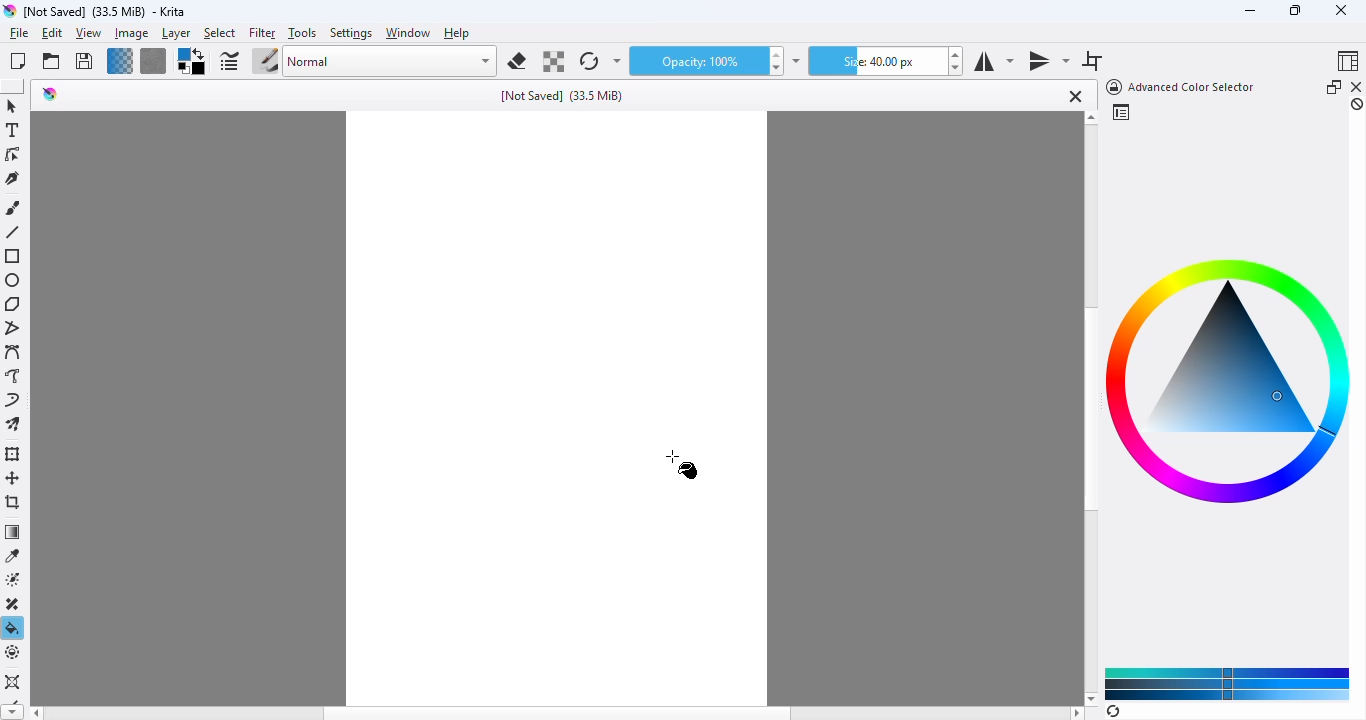  What do you see at coordinates (552, 61) in the screenshot?
I see `preserve alpha` at bounding box center [552, 61].